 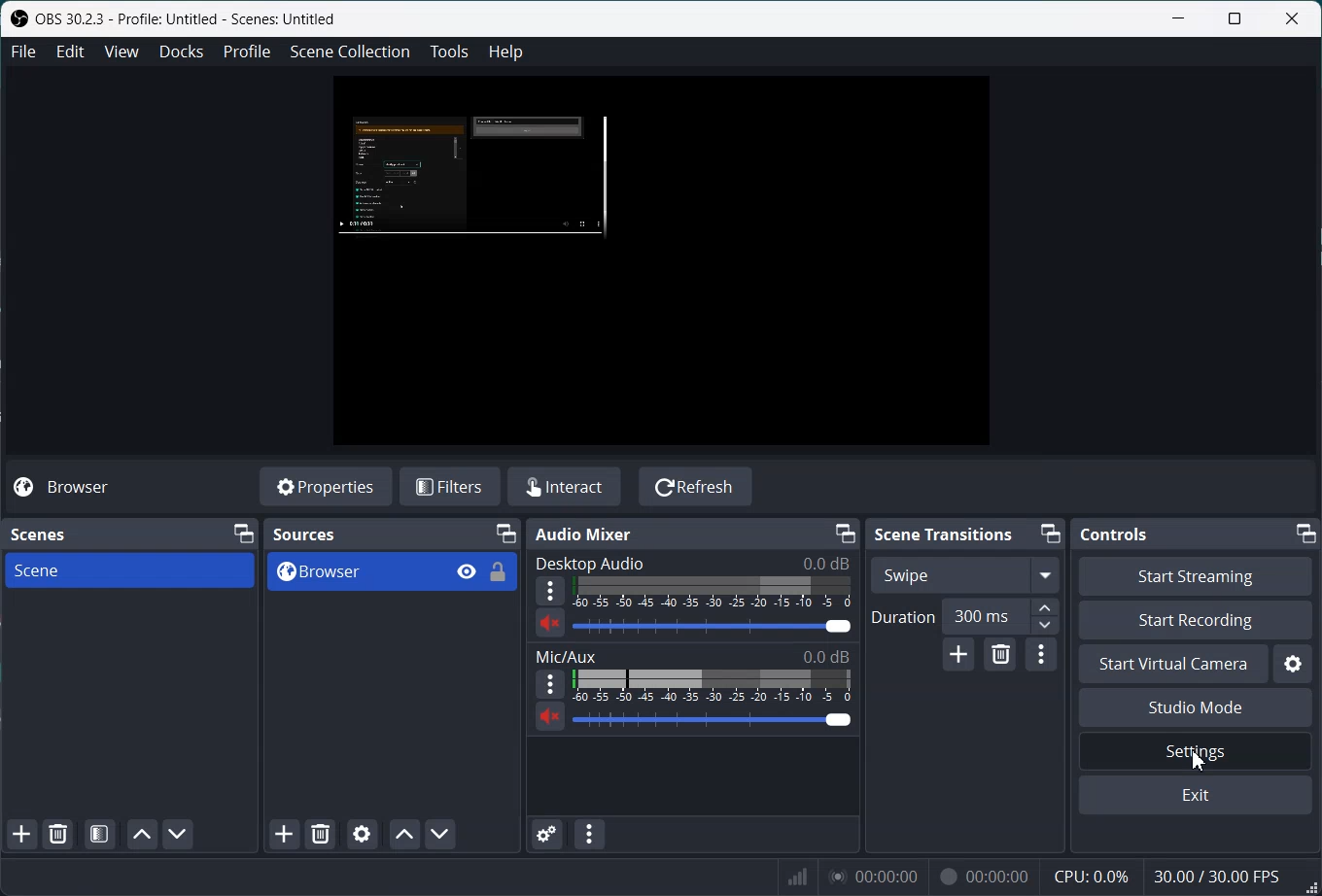 What do you see at coordinates (181, 52) in the screenshot?
I see `Docks` at bounding box center [181, 52].